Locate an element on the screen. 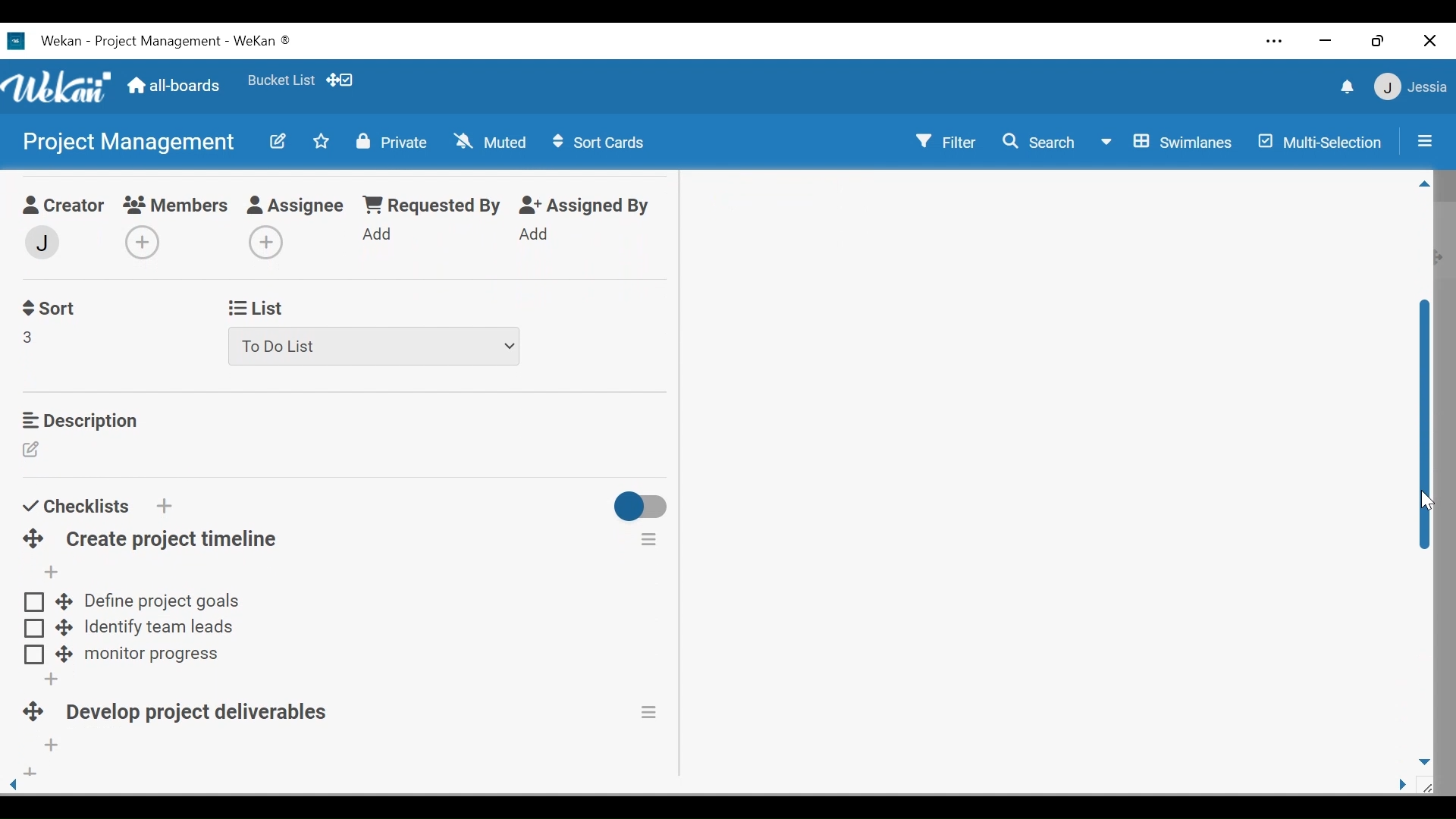 The image size is (1456, 819). Desktop drag handle is located at coordinates (64, 626).